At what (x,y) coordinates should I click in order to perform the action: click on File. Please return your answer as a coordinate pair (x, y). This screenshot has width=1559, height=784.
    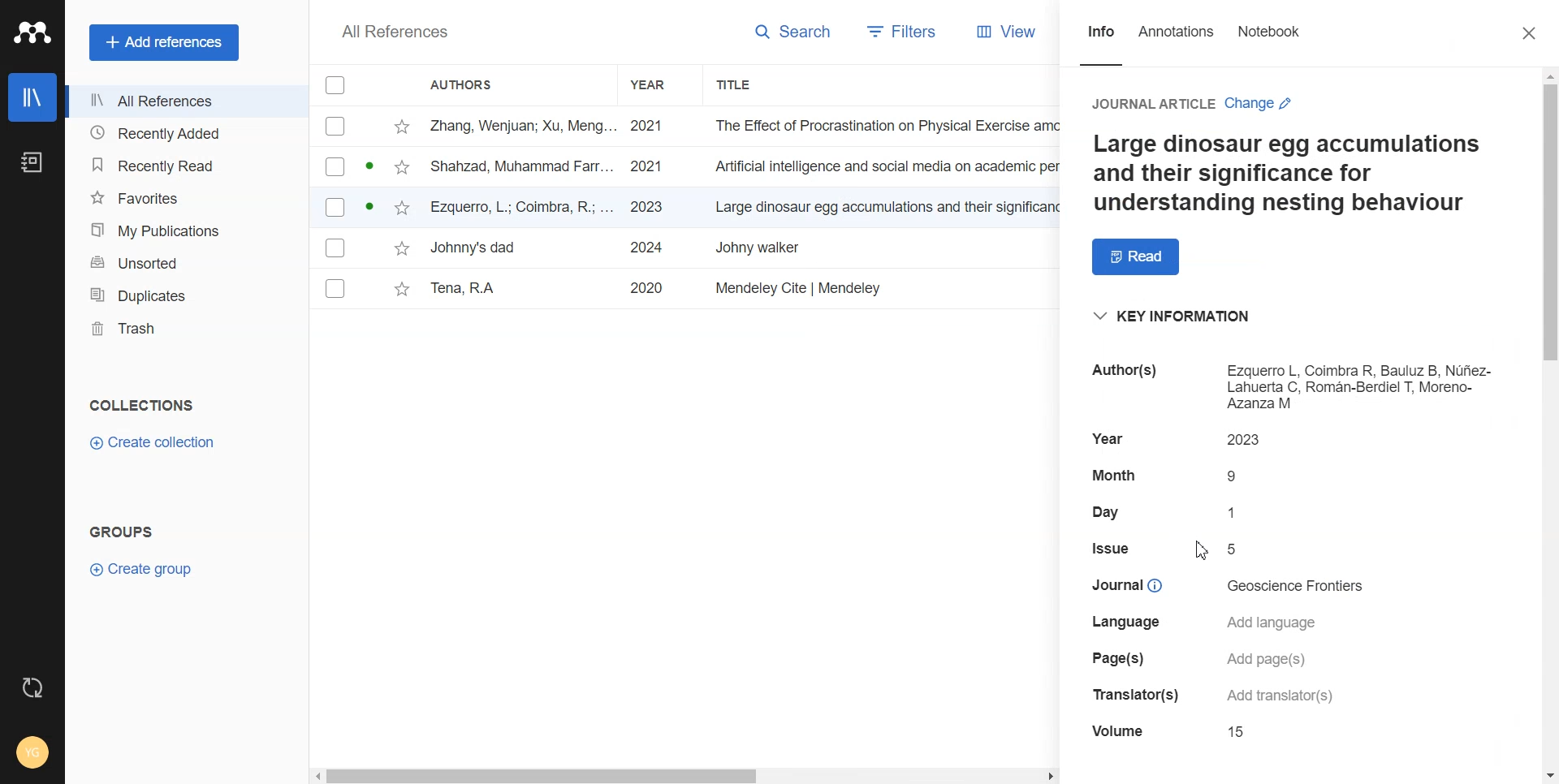
    Looking at the image, I should click on (751, 289).